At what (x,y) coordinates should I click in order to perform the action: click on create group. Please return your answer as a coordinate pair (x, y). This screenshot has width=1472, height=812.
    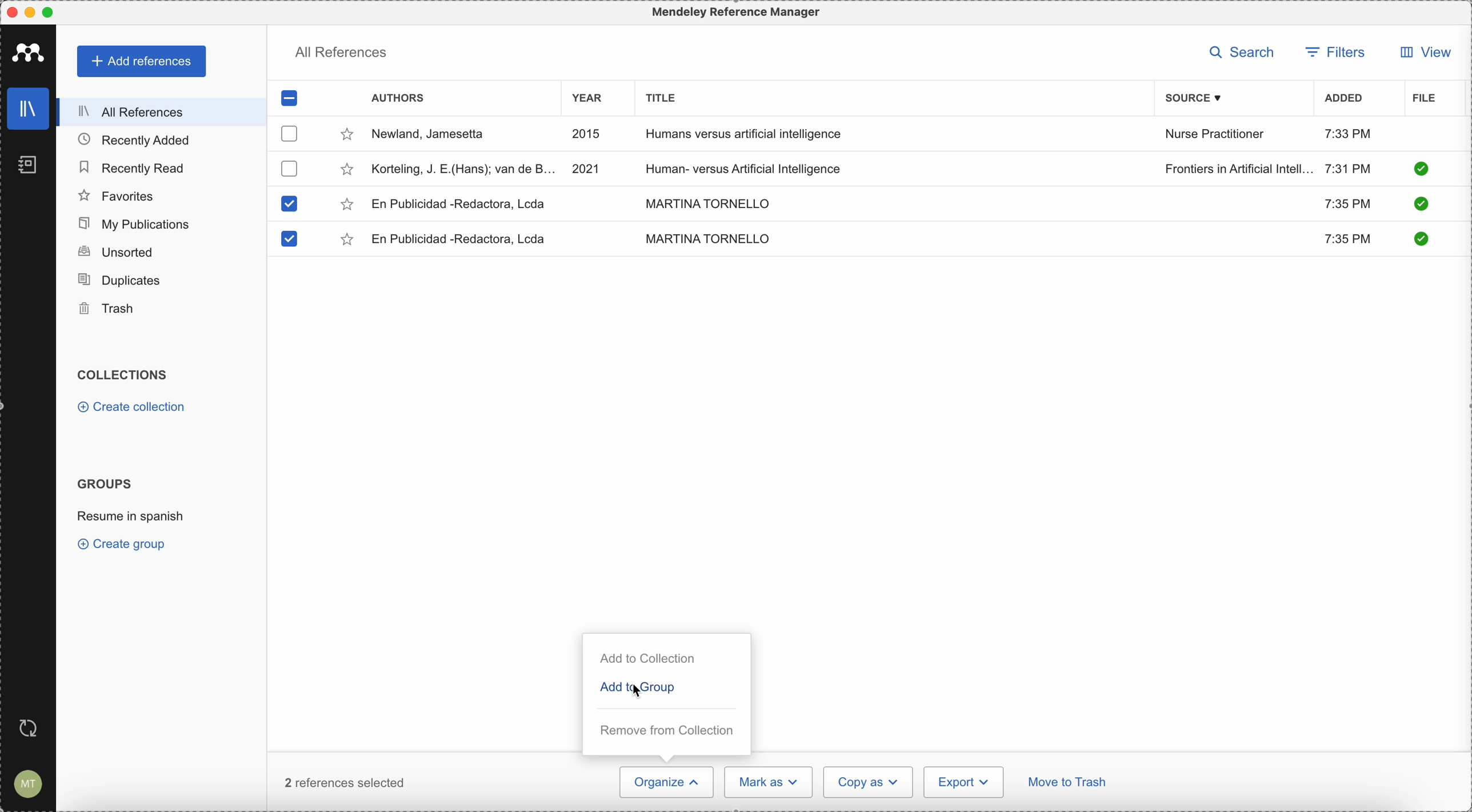
    Looking at the image, I should click on (125, 543).